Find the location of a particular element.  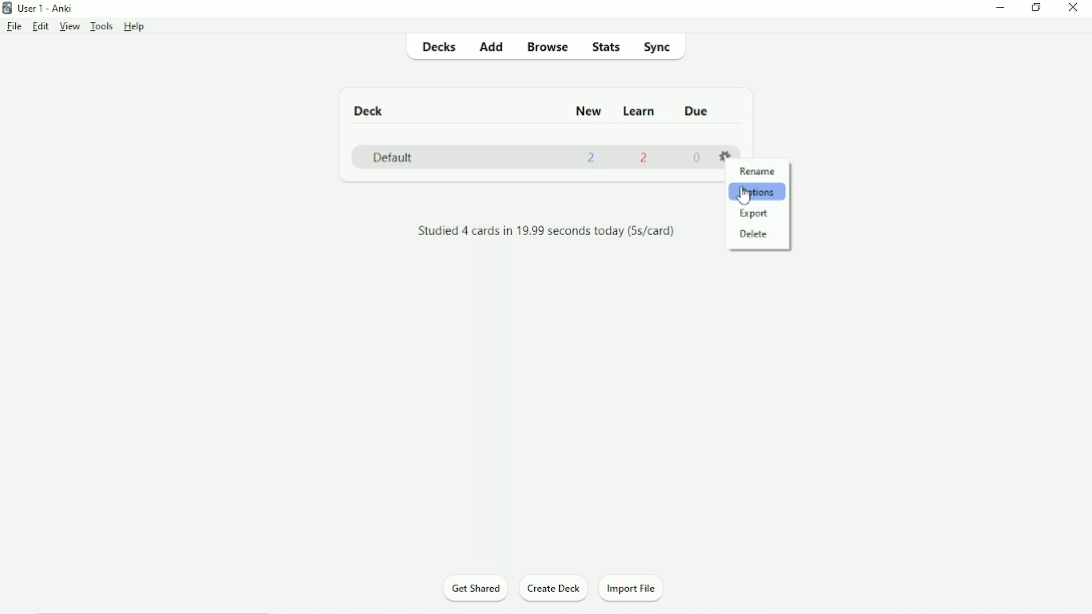

Export is located at coordinates (757, 214).